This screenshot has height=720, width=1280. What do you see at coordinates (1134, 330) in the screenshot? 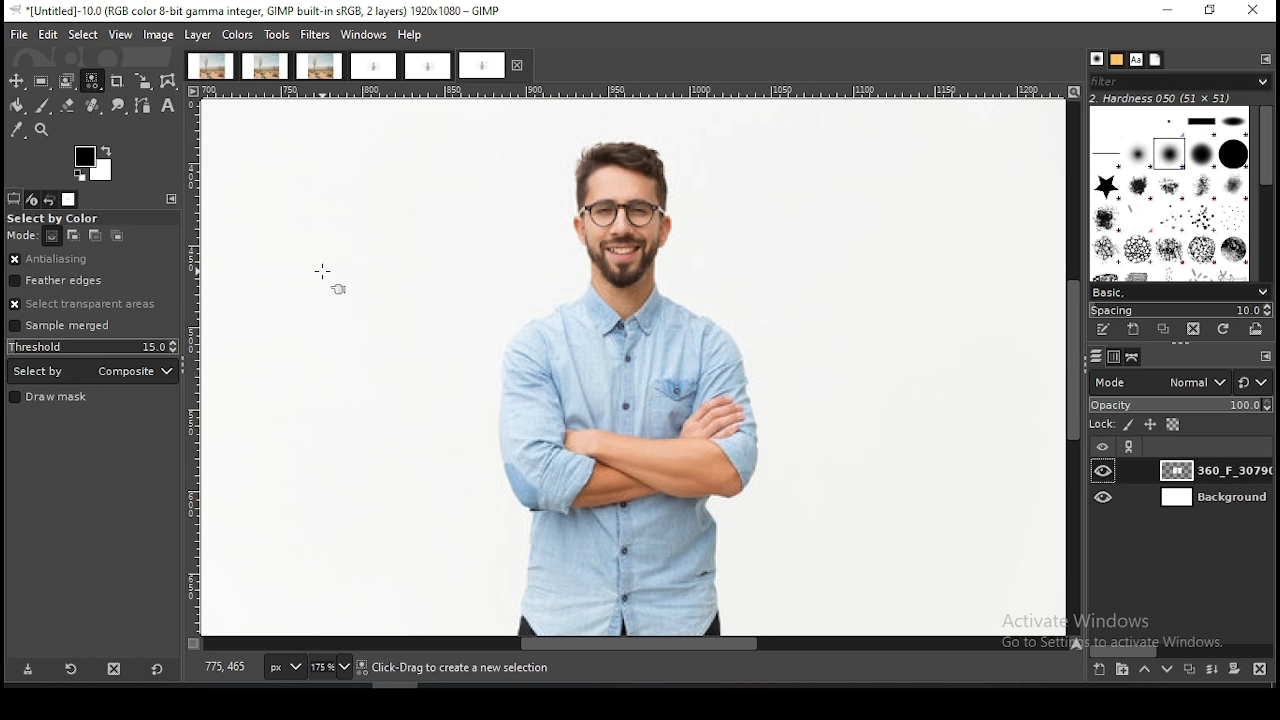
I see `create a new brush` at bounding box center [1134, 330].